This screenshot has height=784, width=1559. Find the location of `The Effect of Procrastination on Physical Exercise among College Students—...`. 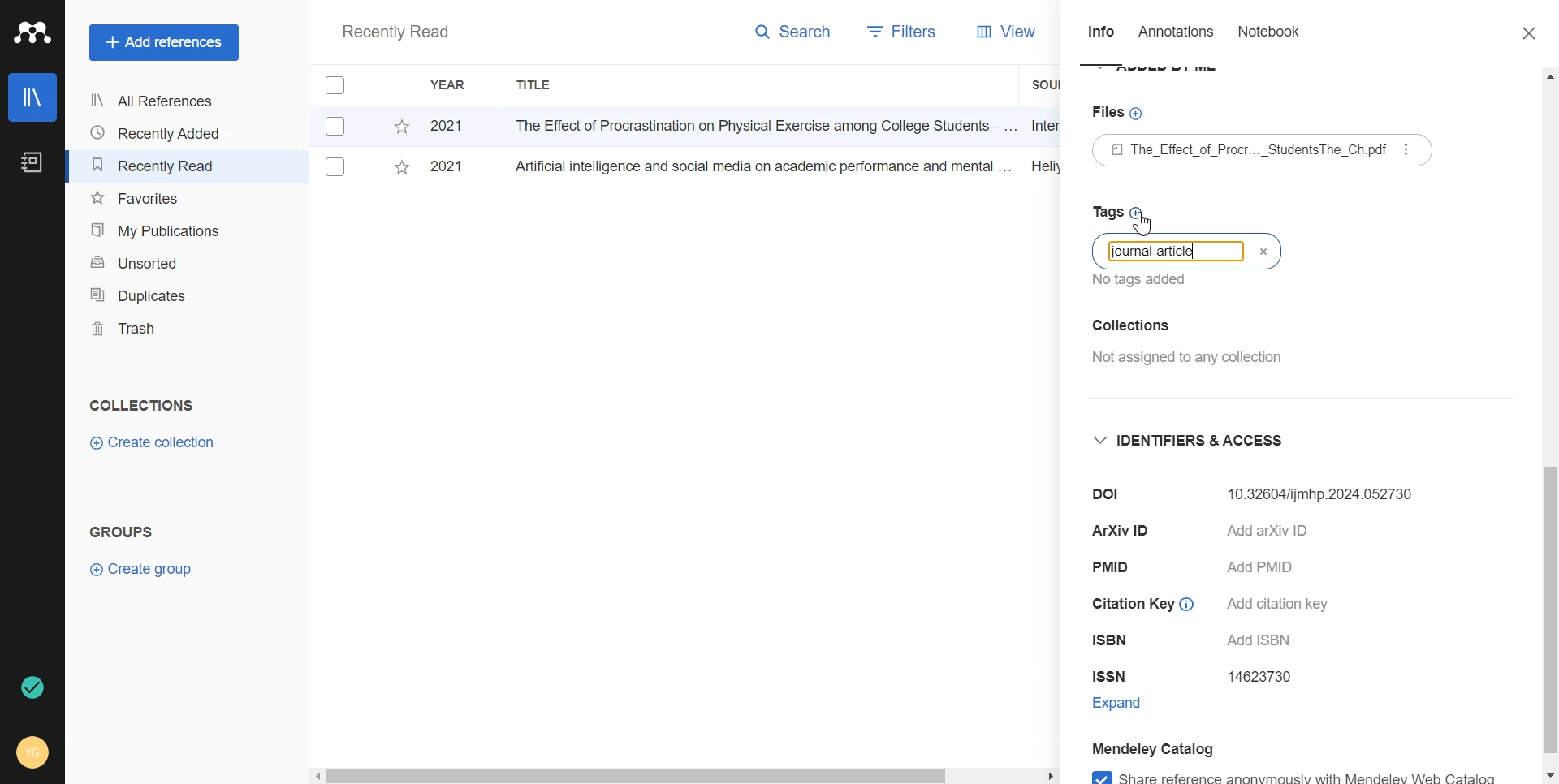

The Effect of Procrastination on Physical Exercise among College Students—... is located at coordinates (759, 125).